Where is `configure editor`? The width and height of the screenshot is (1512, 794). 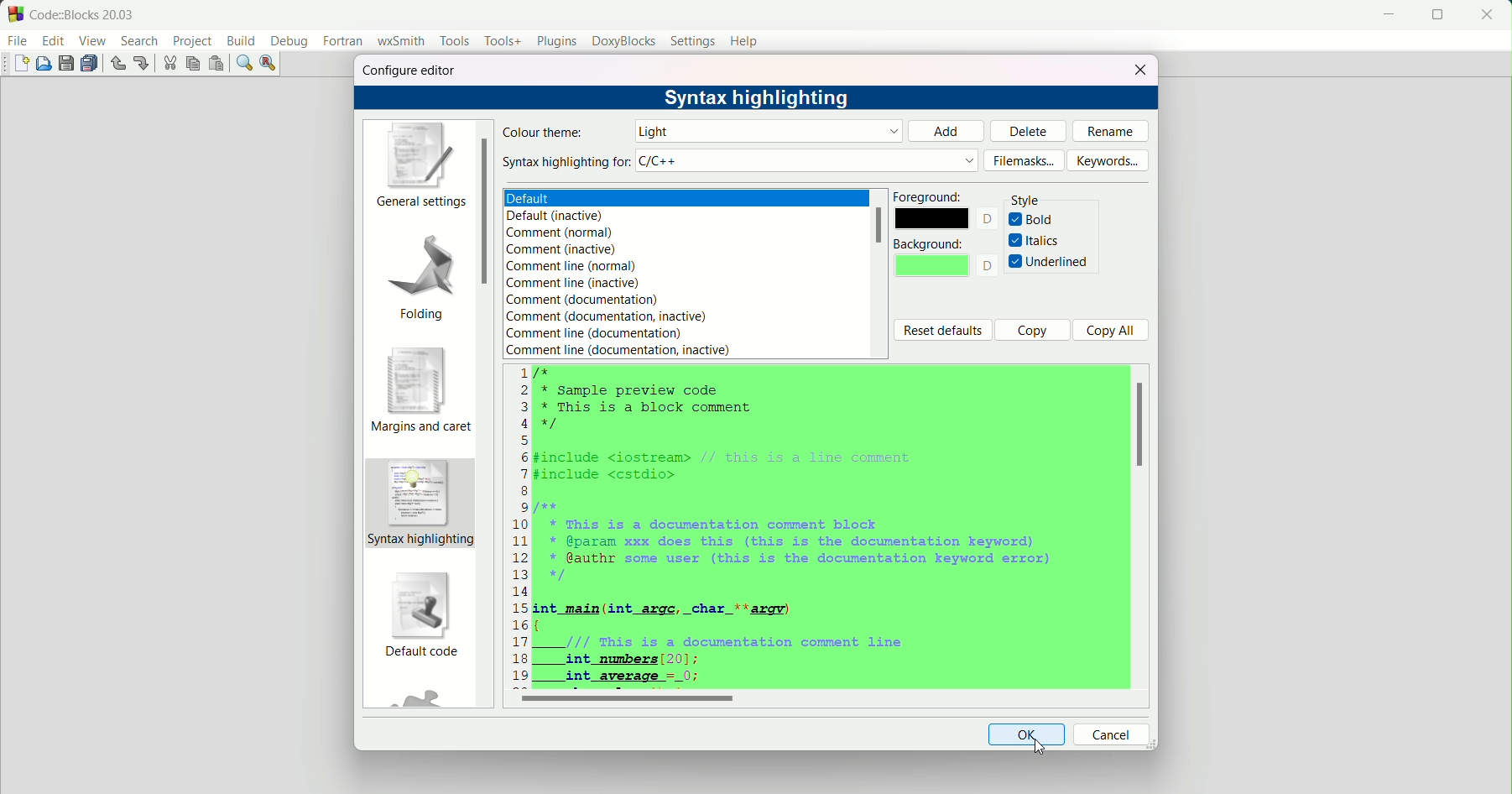 configure editor is located at coordinates (410, 71).